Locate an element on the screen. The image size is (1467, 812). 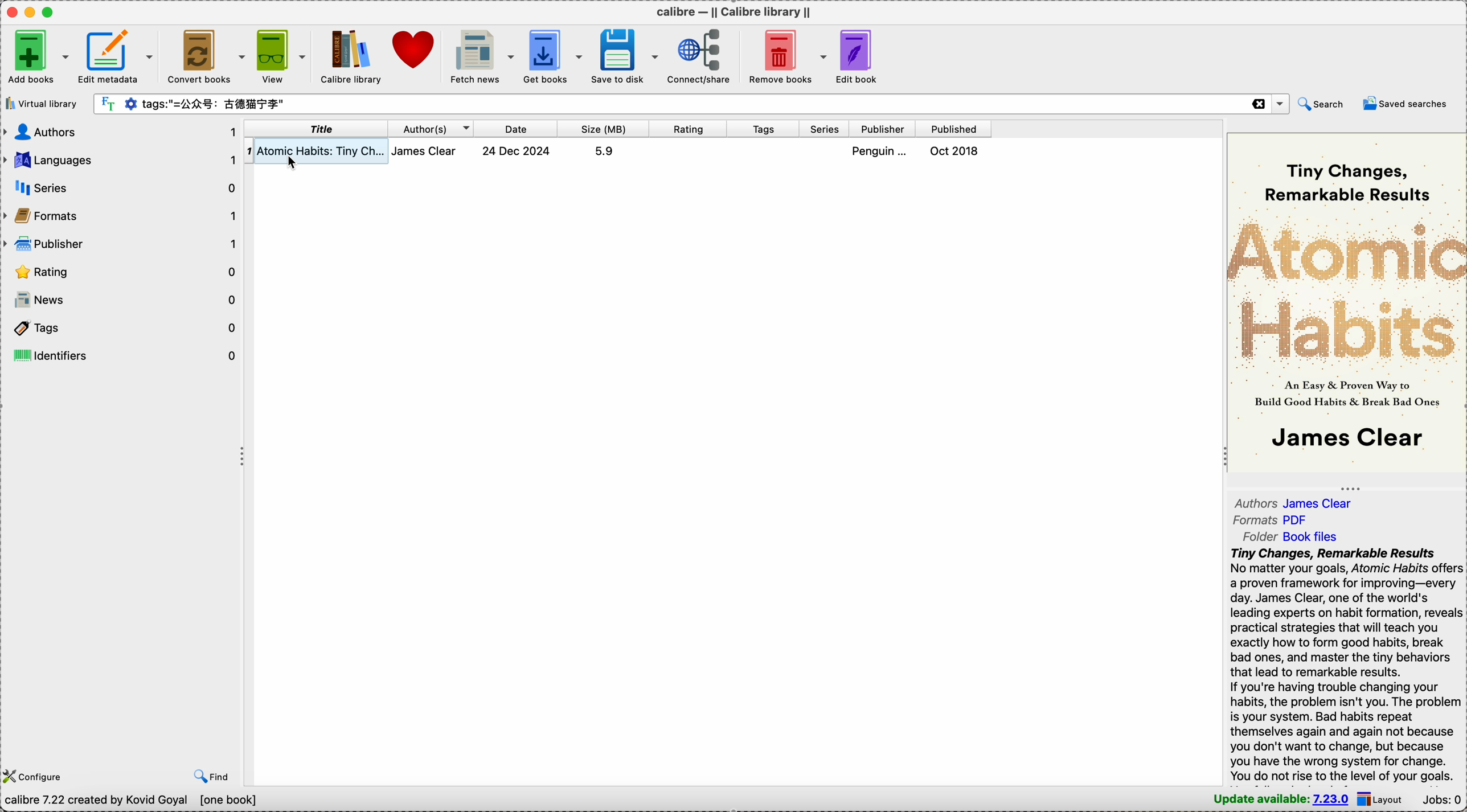
cursor is located at coordinates (288, 163).